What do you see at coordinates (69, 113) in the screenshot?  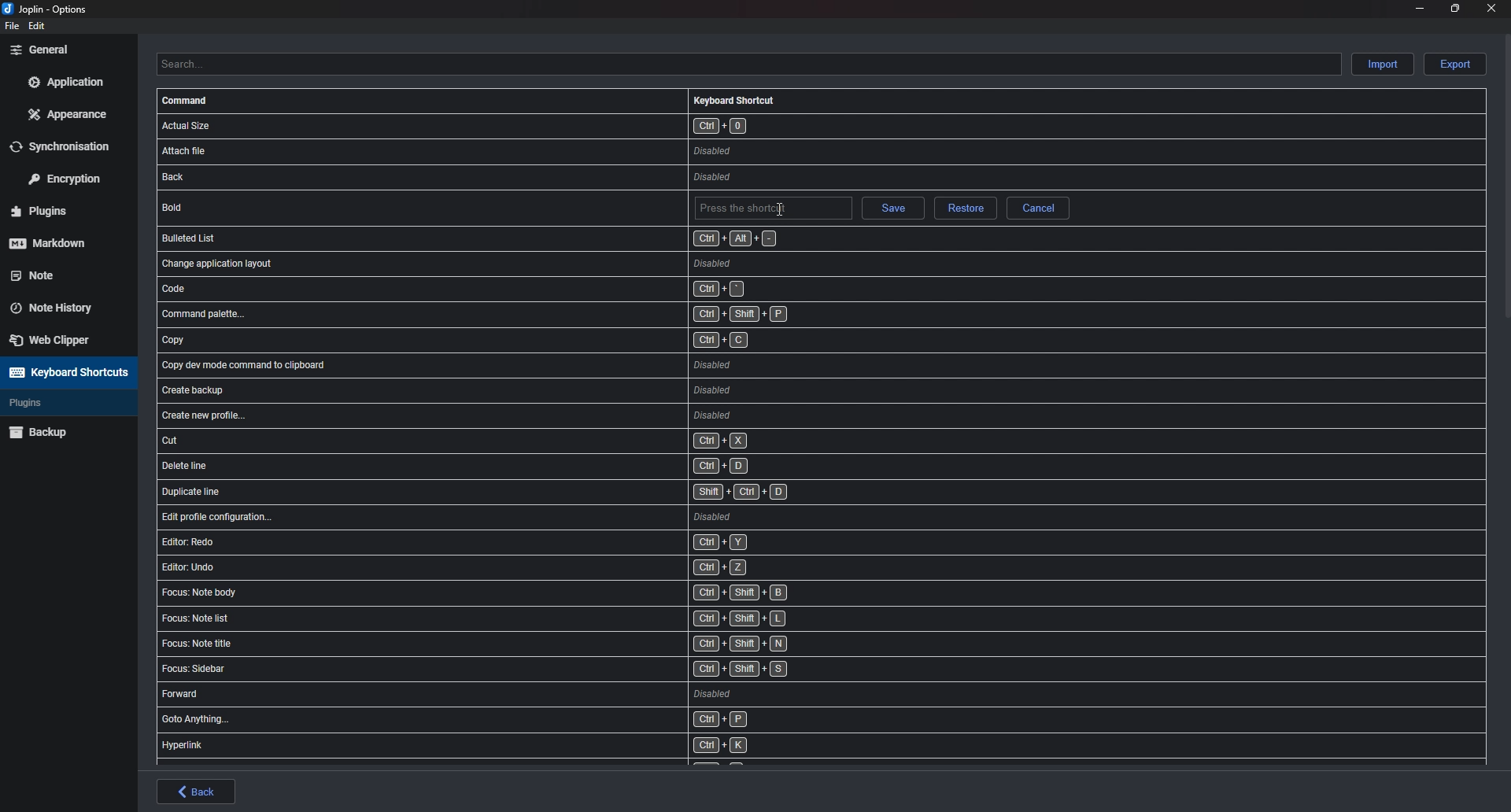 I see `Appearance` at bounding box center [69, 113].